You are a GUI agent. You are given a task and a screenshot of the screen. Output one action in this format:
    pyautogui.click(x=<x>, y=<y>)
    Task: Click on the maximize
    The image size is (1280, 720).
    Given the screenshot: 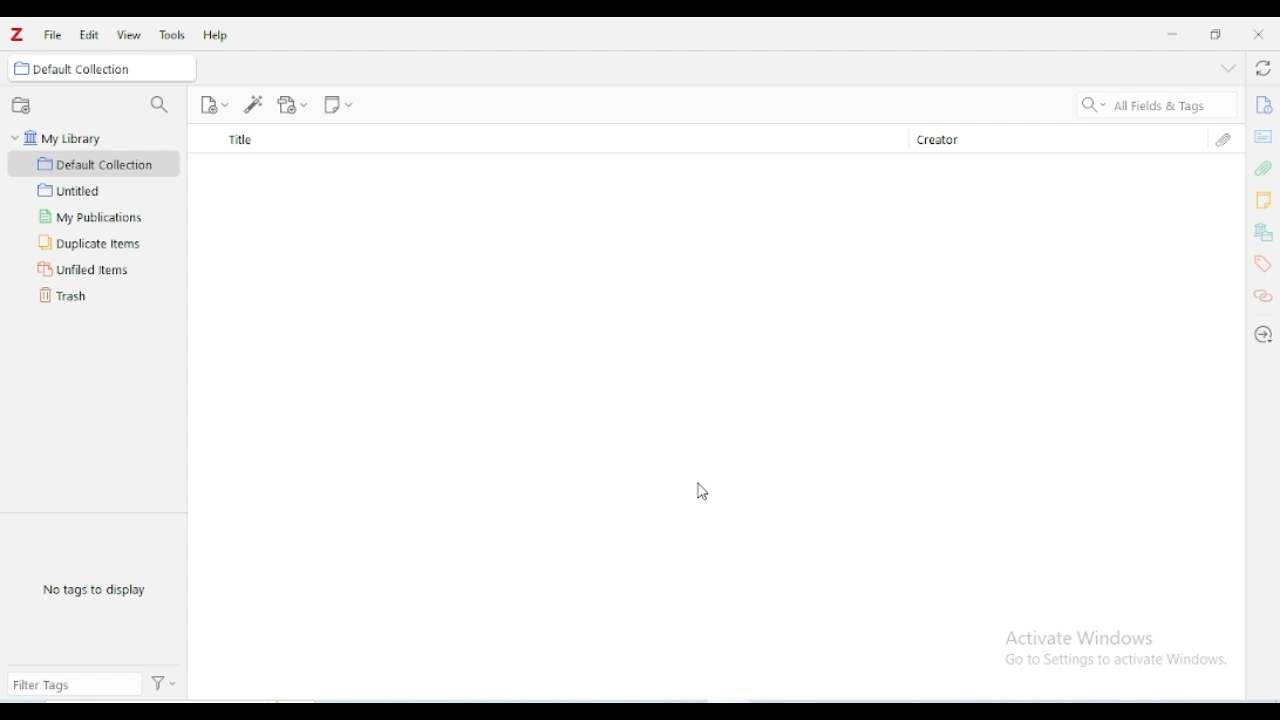 What is the action you would take?
    pyautogui.click(x=1216, y=34)
    